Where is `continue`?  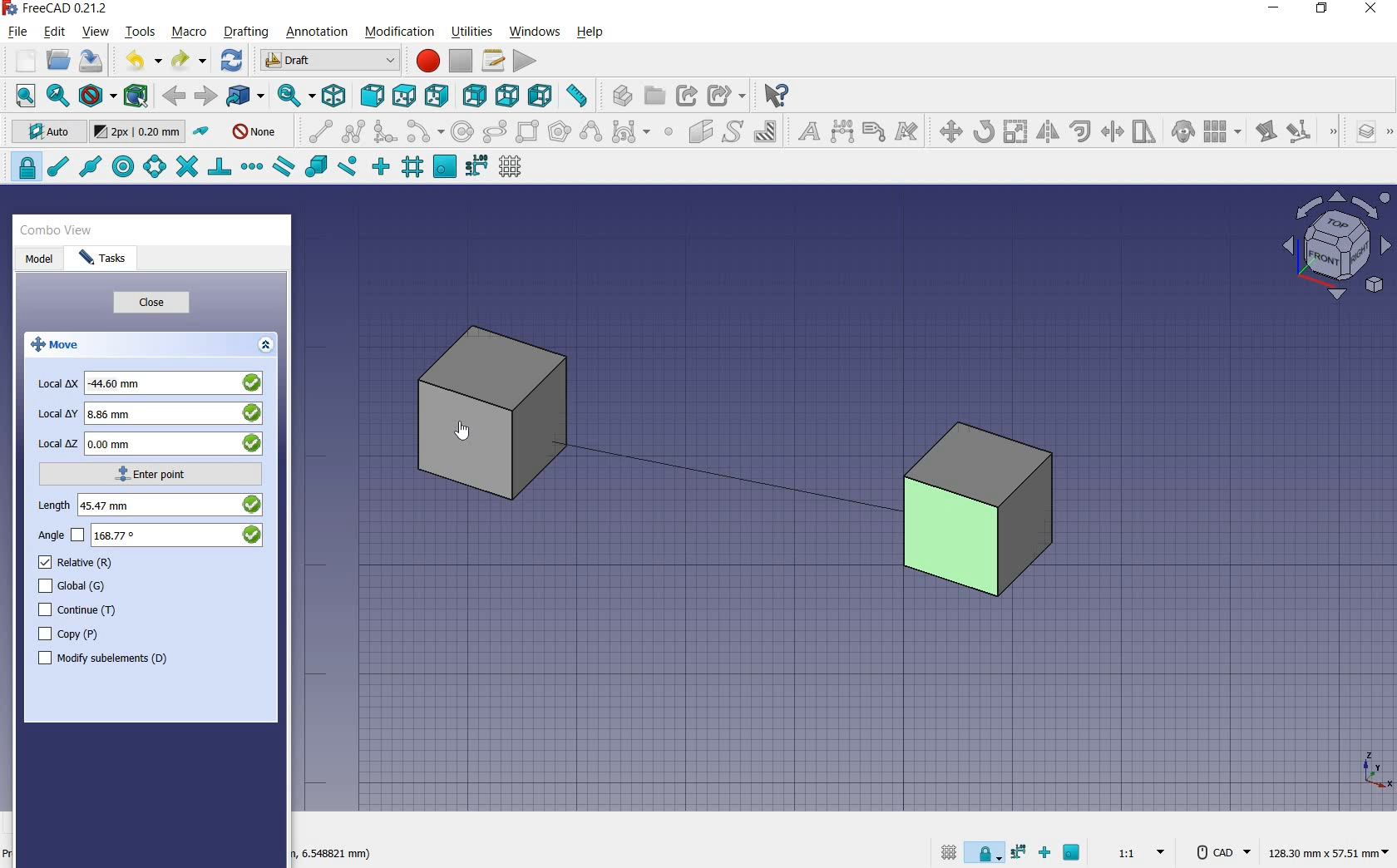
continue is located at coordinates (78, 609).